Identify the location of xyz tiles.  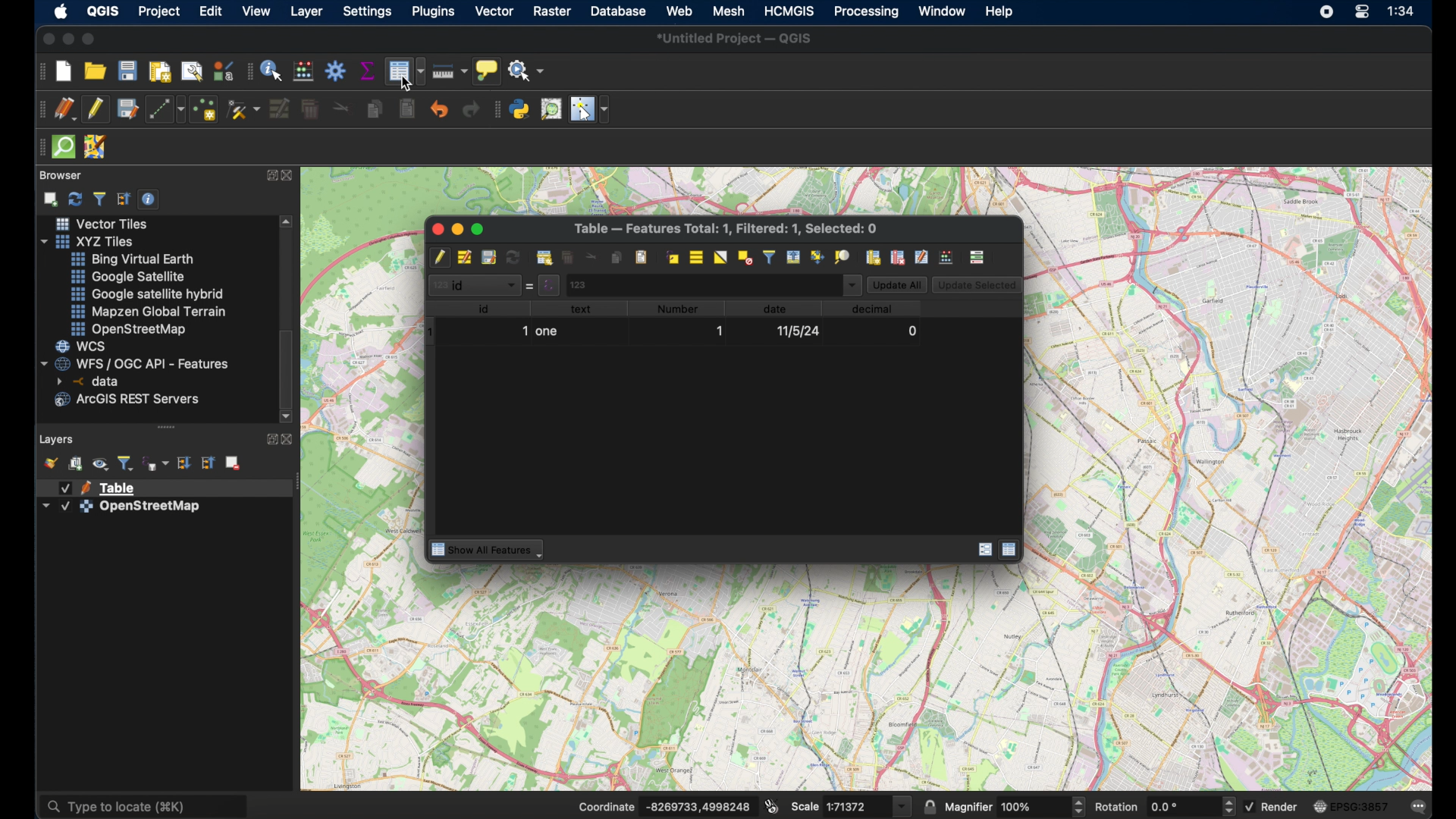
(87, 240).